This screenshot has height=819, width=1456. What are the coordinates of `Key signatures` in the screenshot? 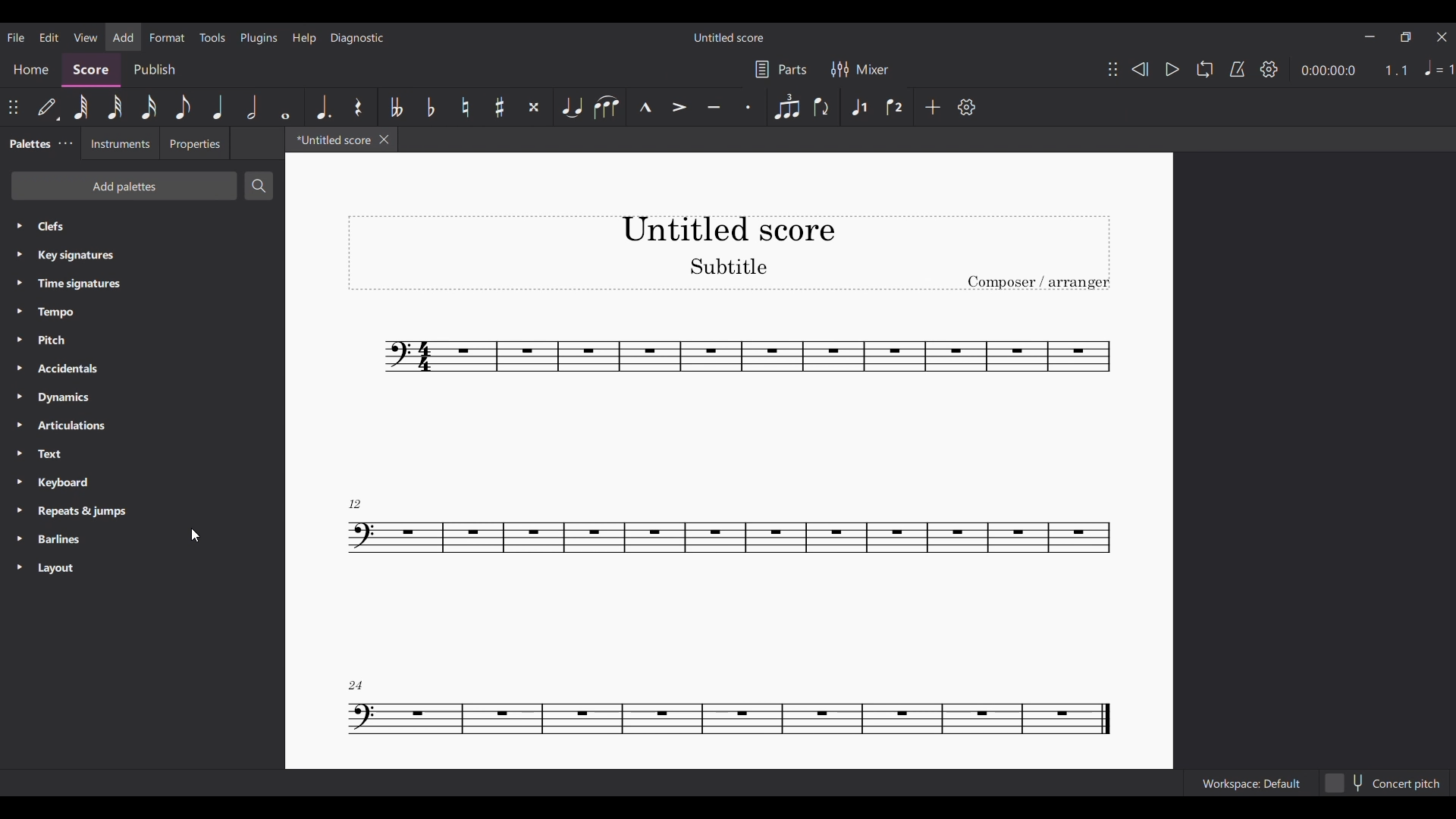 It's located at (95, 258).